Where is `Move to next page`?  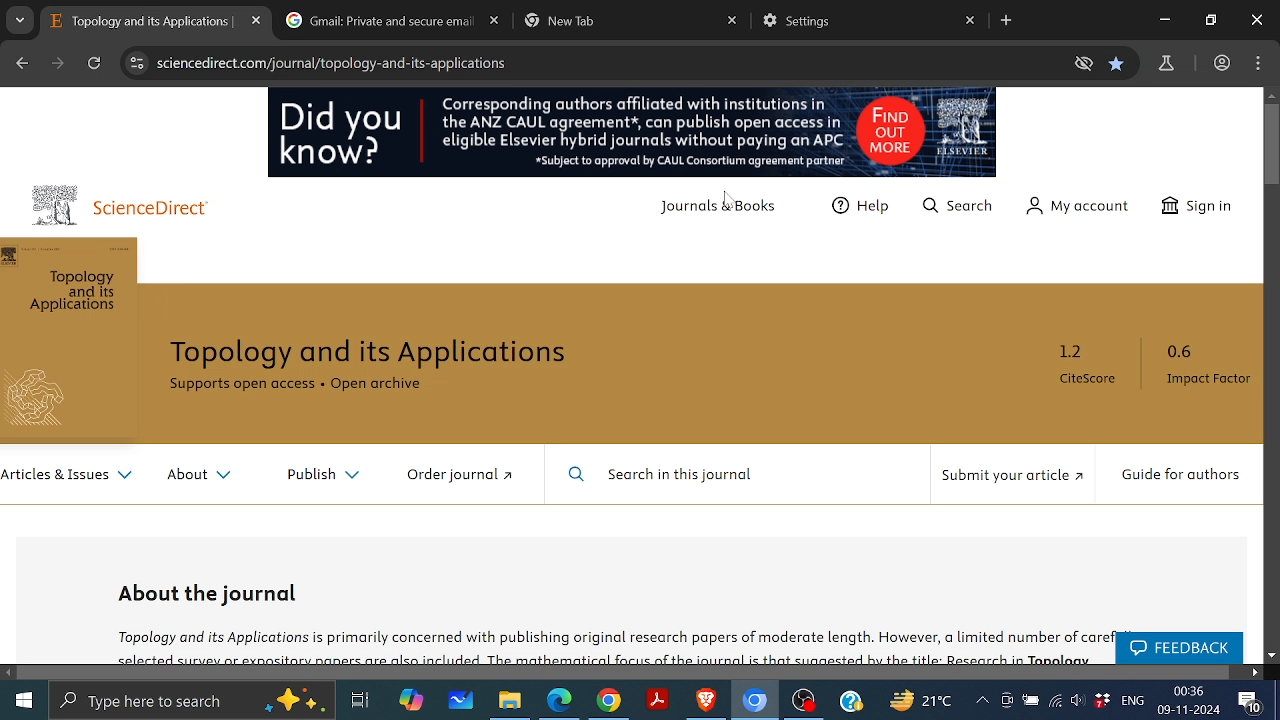 Move to next page is located at coordinates (58, 63).